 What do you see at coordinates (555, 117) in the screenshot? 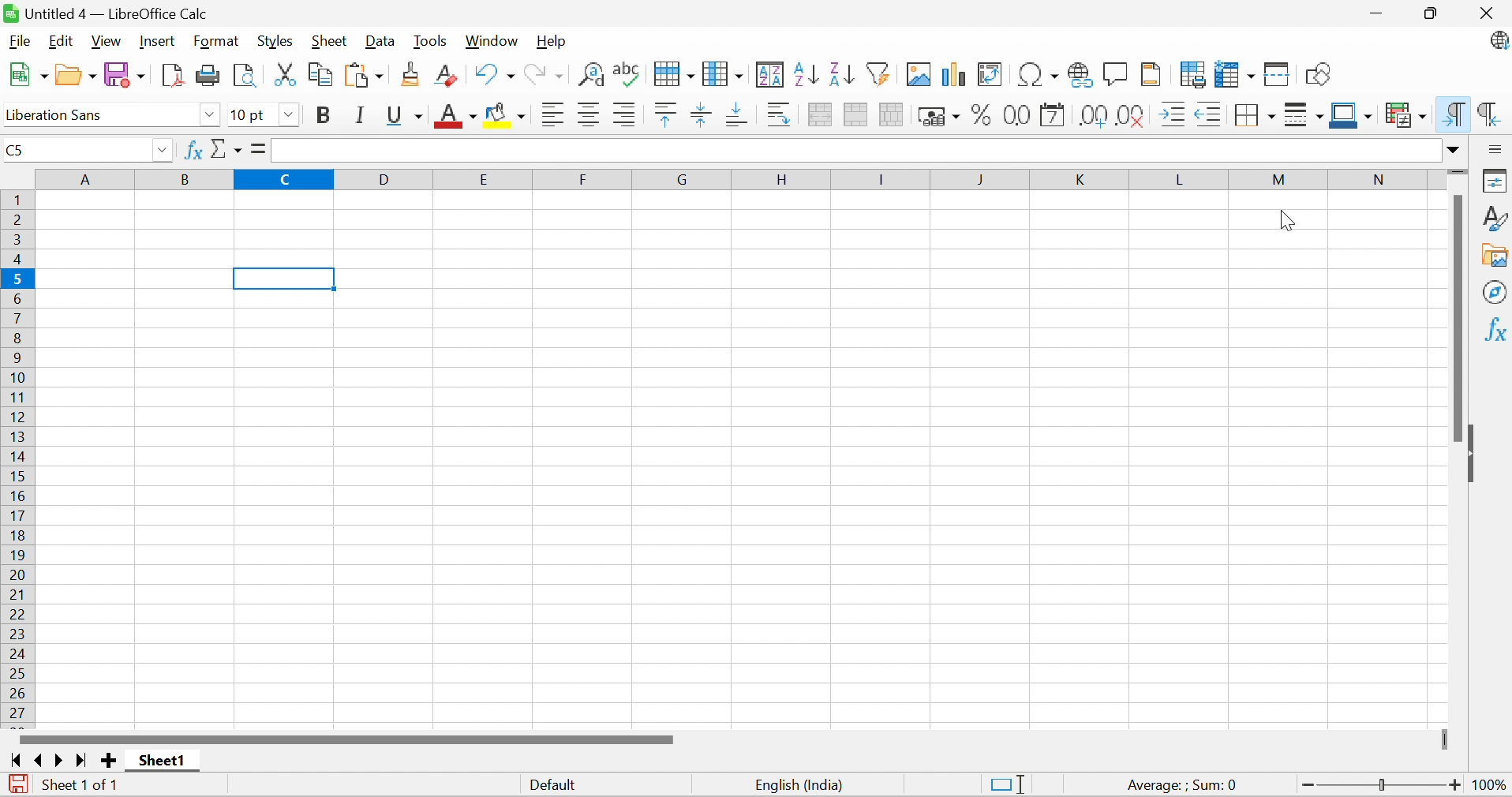
I see `Align left` at bounding box center [555, 117].